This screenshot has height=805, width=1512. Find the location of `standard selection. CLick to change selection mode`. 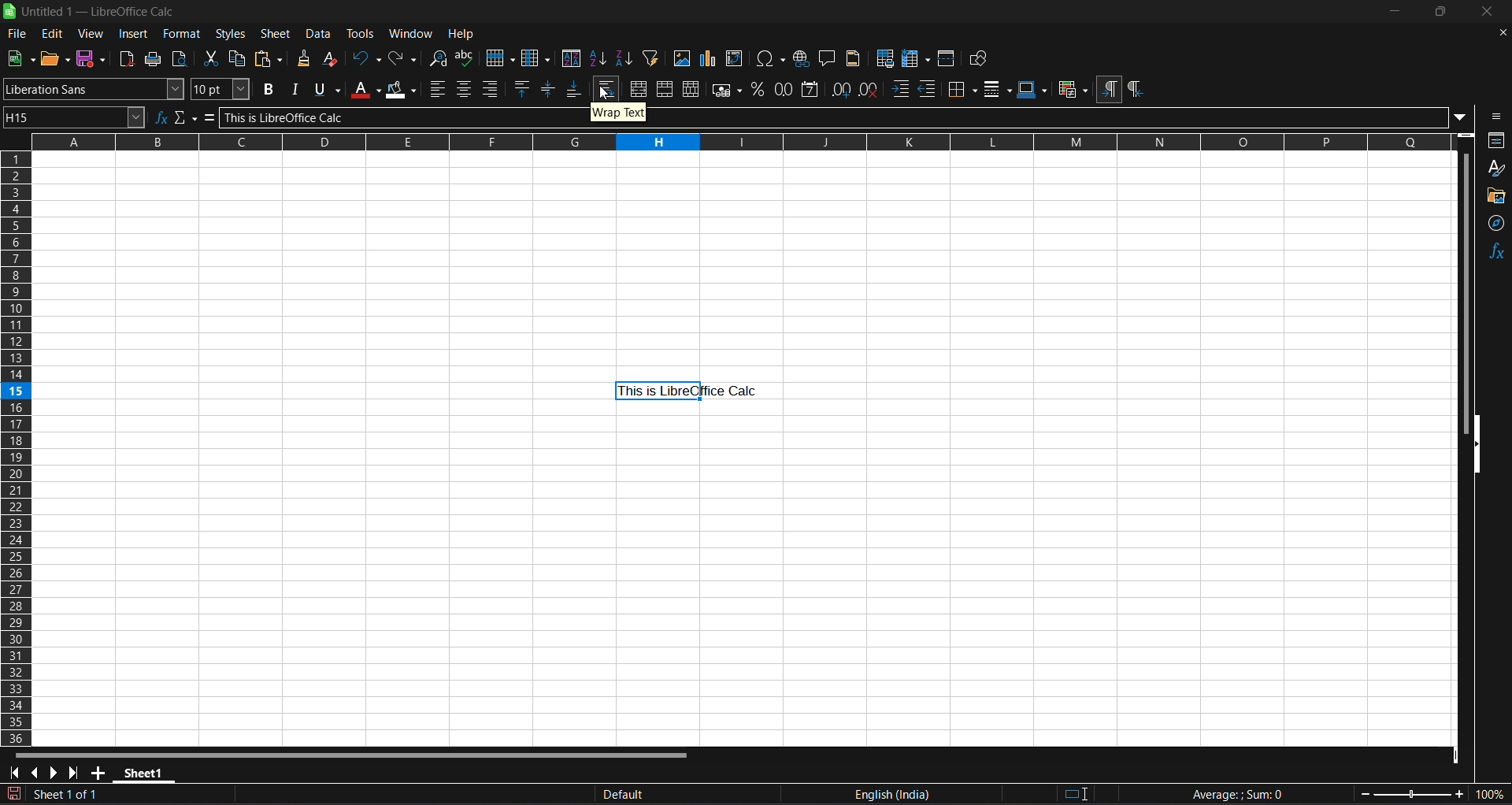

standard selection. CLick to change selection mode is located at coordinates (1077, 792).